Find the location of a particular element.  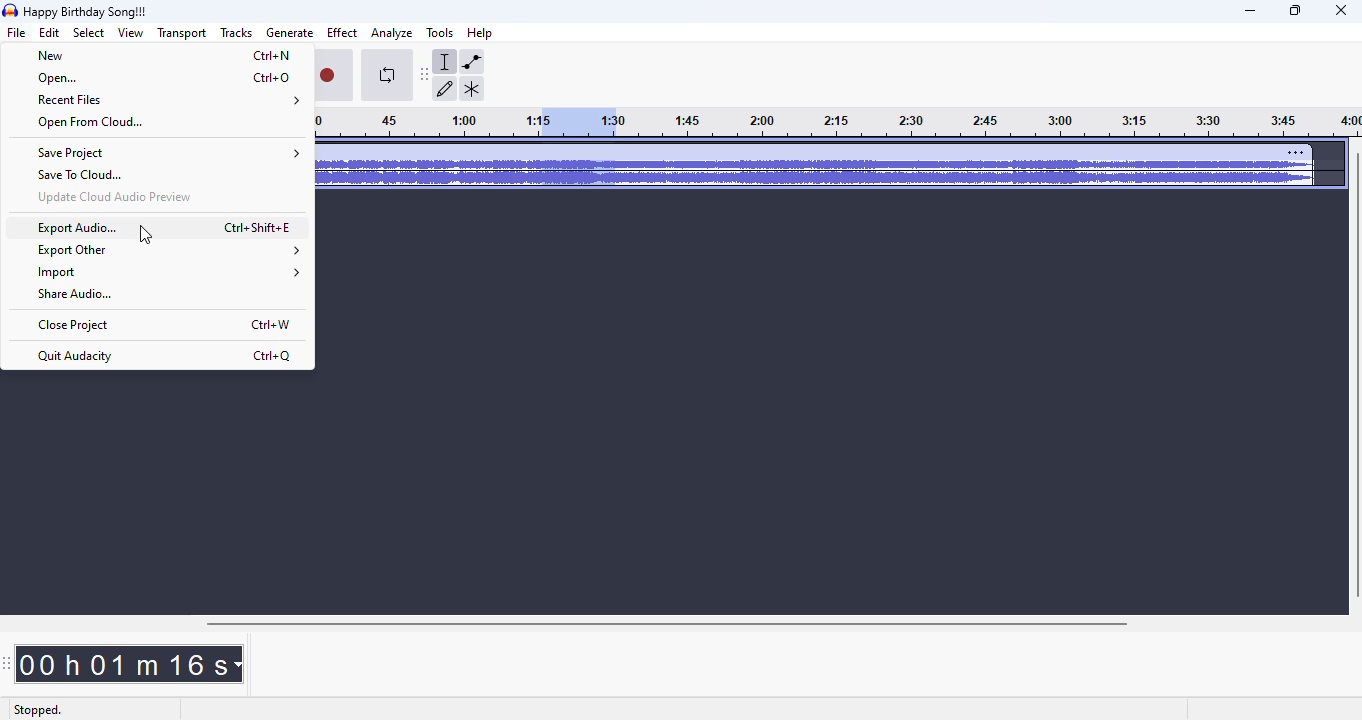

shortcut for export audio is located at coordinates (258, 228).